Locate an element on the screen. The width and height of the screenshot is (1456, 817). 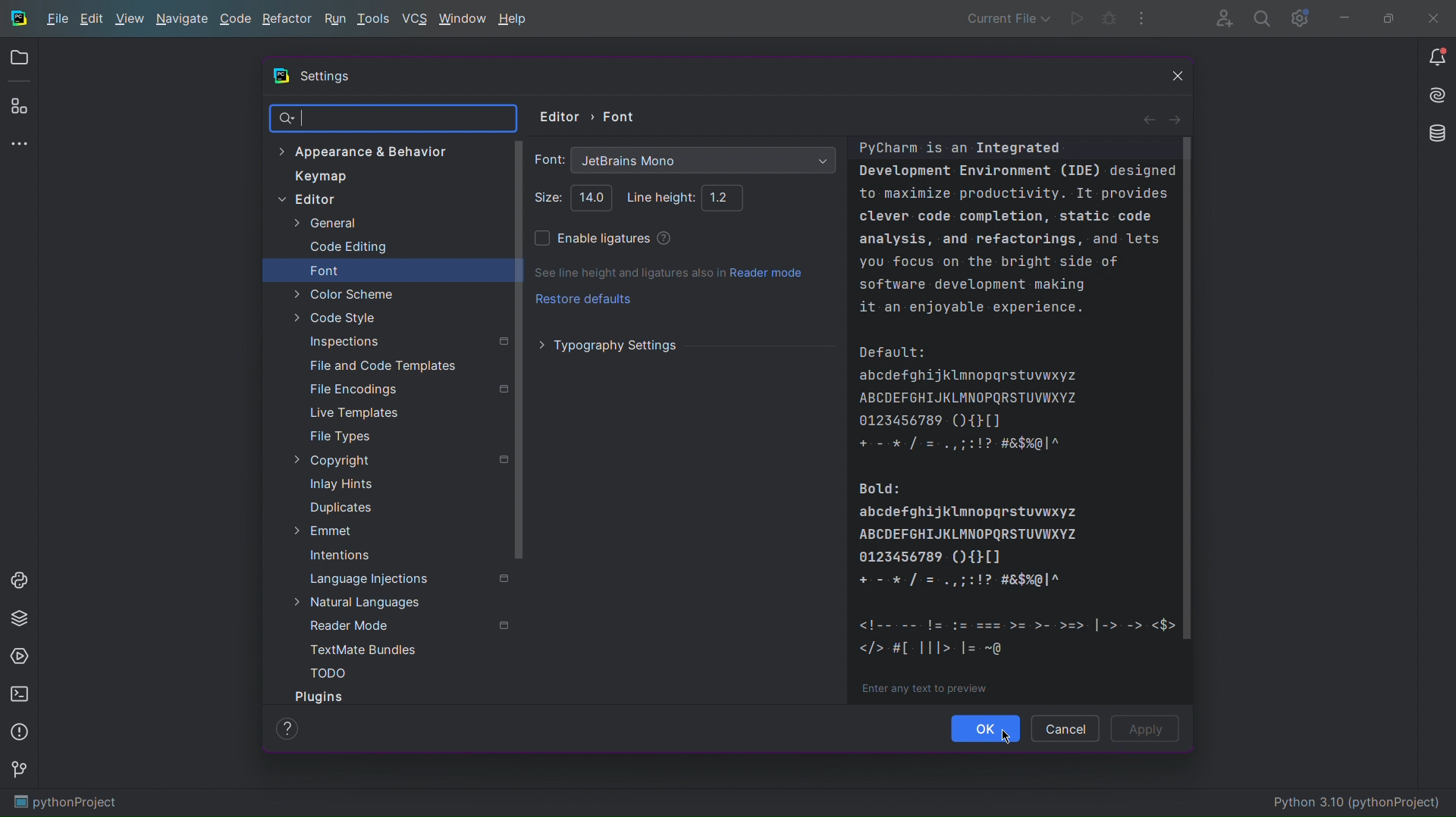
Inlay Hints is located at coordinates (340, 484).